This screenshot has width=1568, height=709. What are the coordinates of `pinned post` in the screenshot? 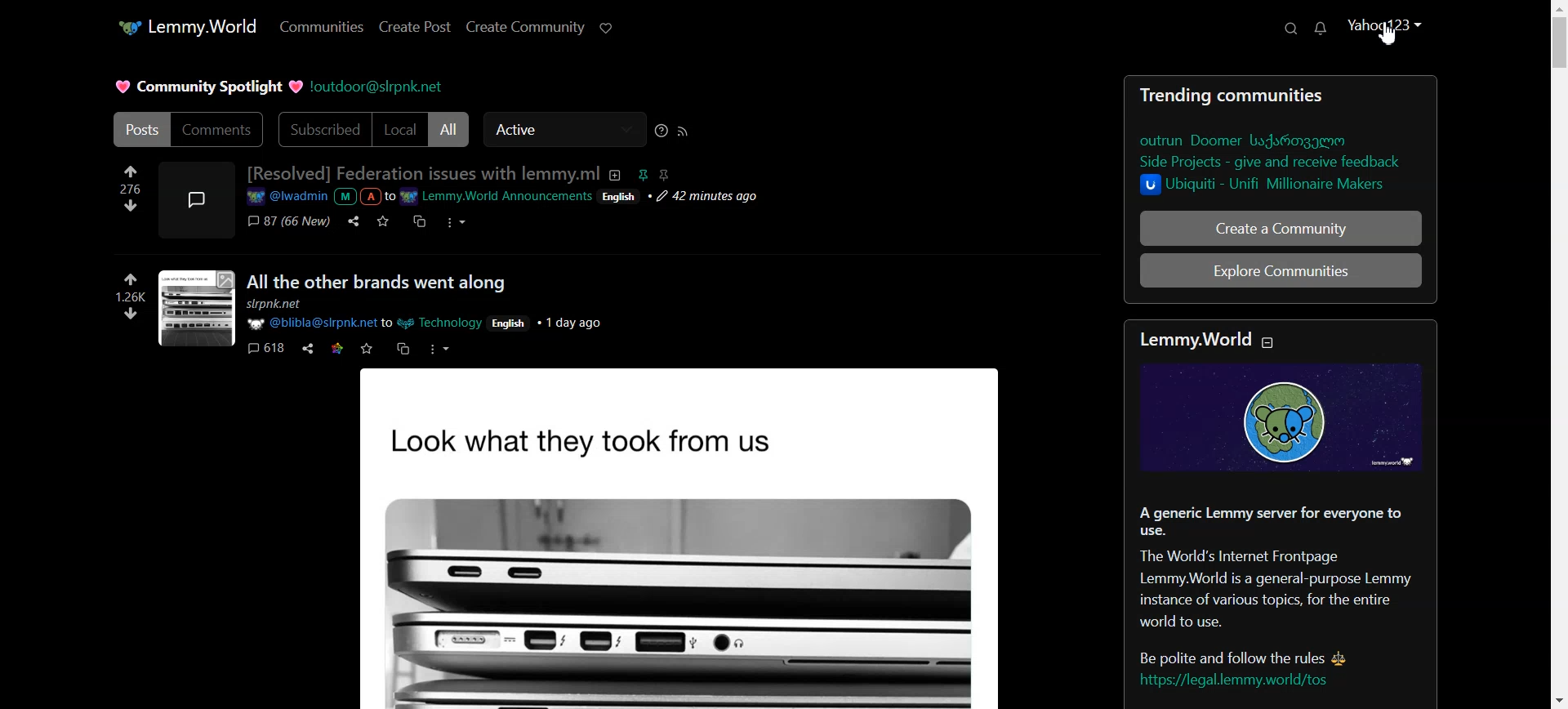 It's located at (663, 175).